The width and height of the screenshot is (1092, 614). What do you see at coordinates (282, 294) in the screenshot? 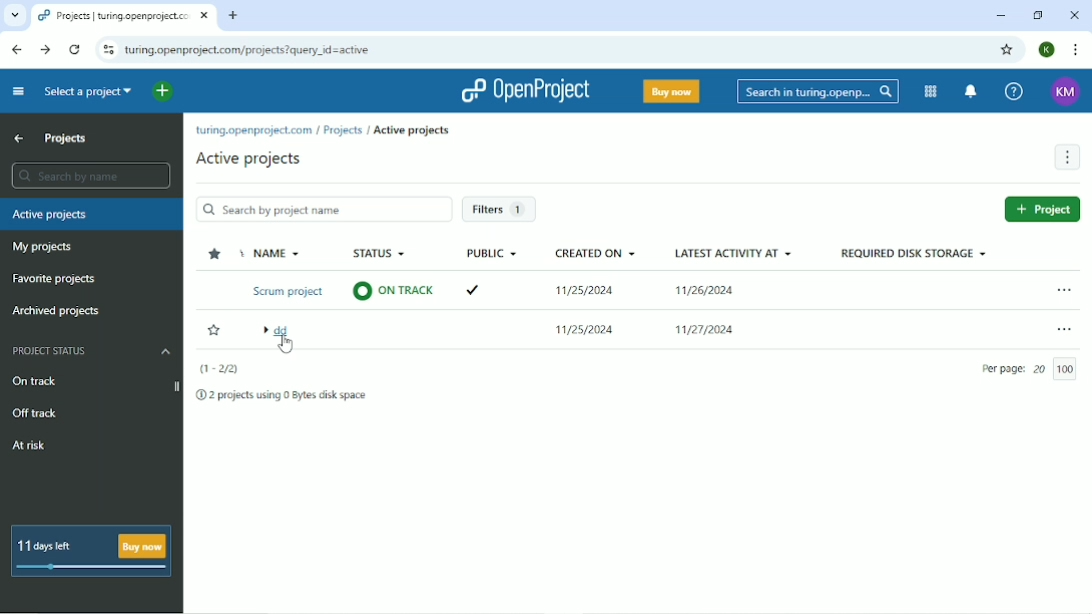
I see `Scrum project` at bounding box center [282, 294].